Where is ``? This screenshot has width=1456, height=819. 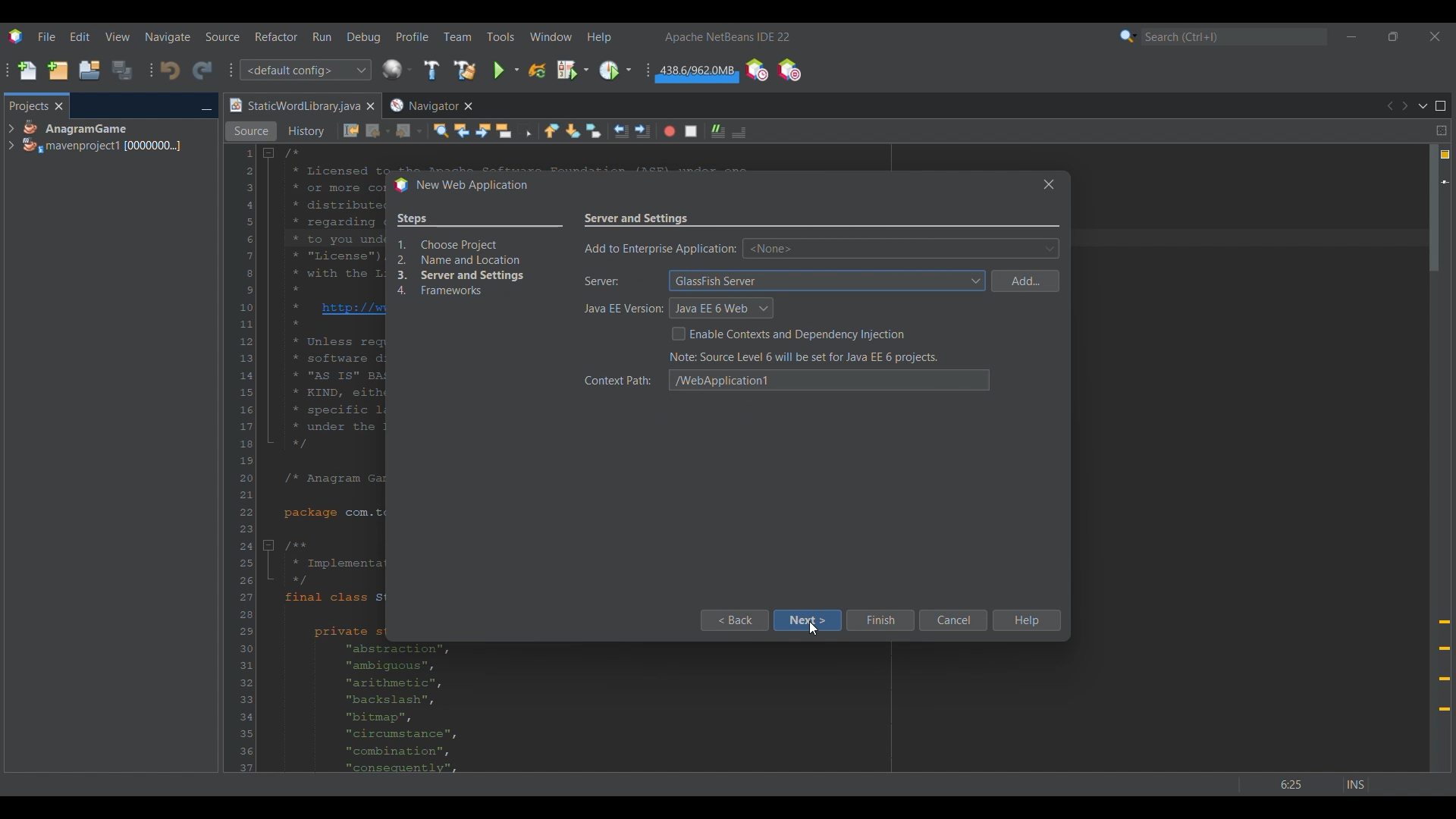
 is located at coordinates (1045, 184).